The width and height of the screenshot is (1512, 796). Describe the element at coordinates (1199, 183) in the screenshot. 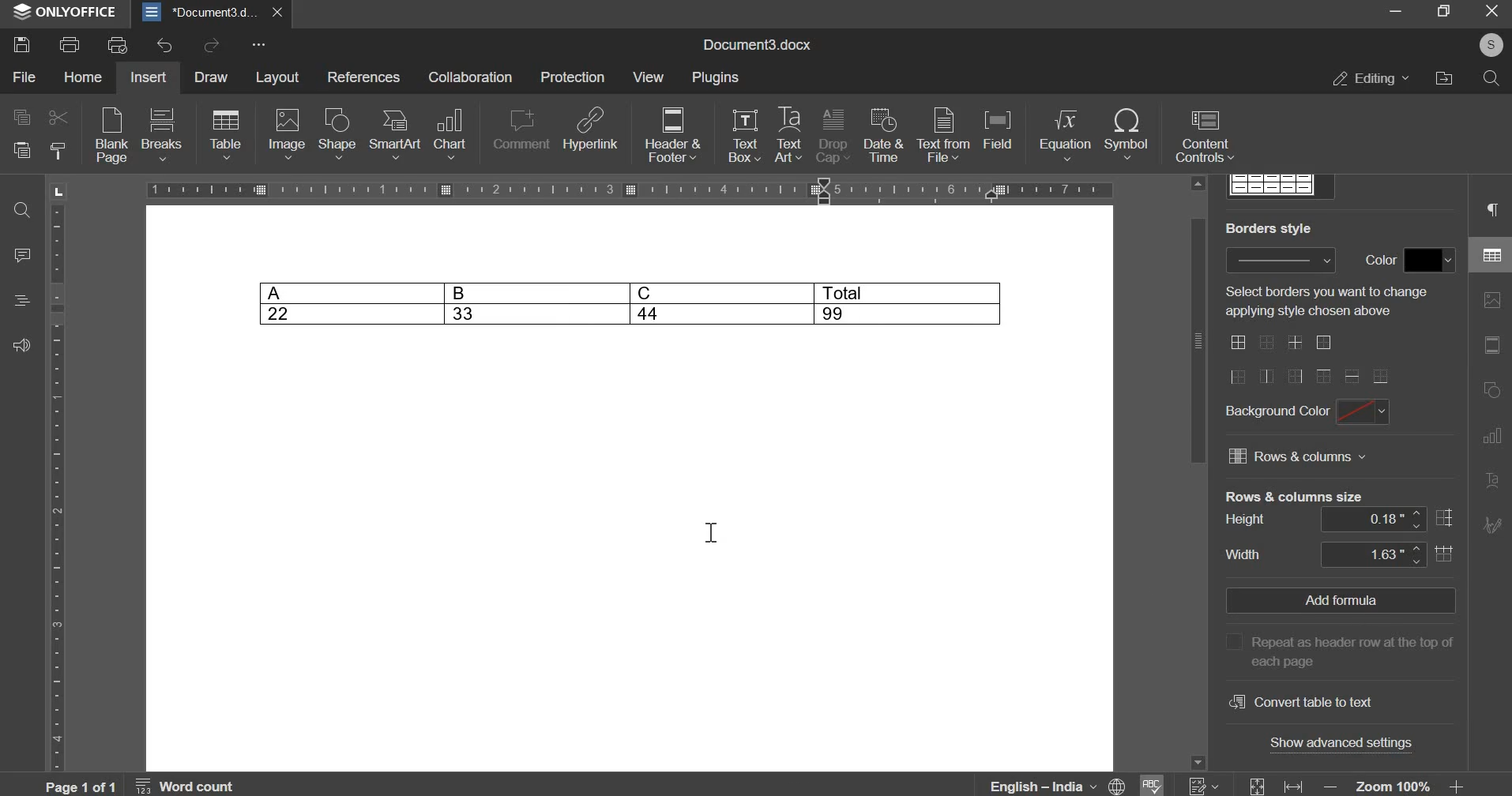

I see `scroll up` at that location.